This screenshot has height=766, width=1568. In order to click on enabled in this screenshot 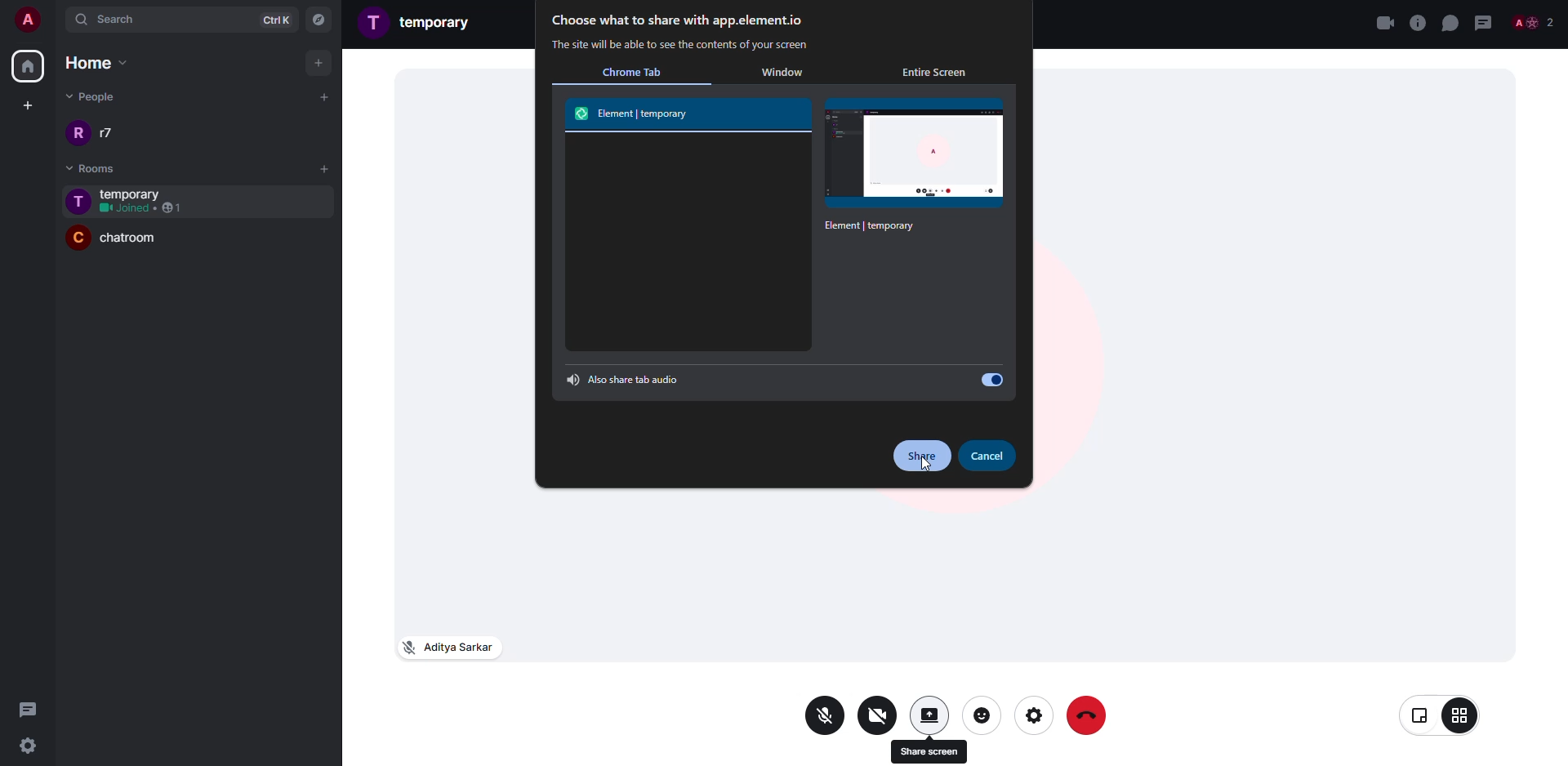, I will do `click(989, 380)`.